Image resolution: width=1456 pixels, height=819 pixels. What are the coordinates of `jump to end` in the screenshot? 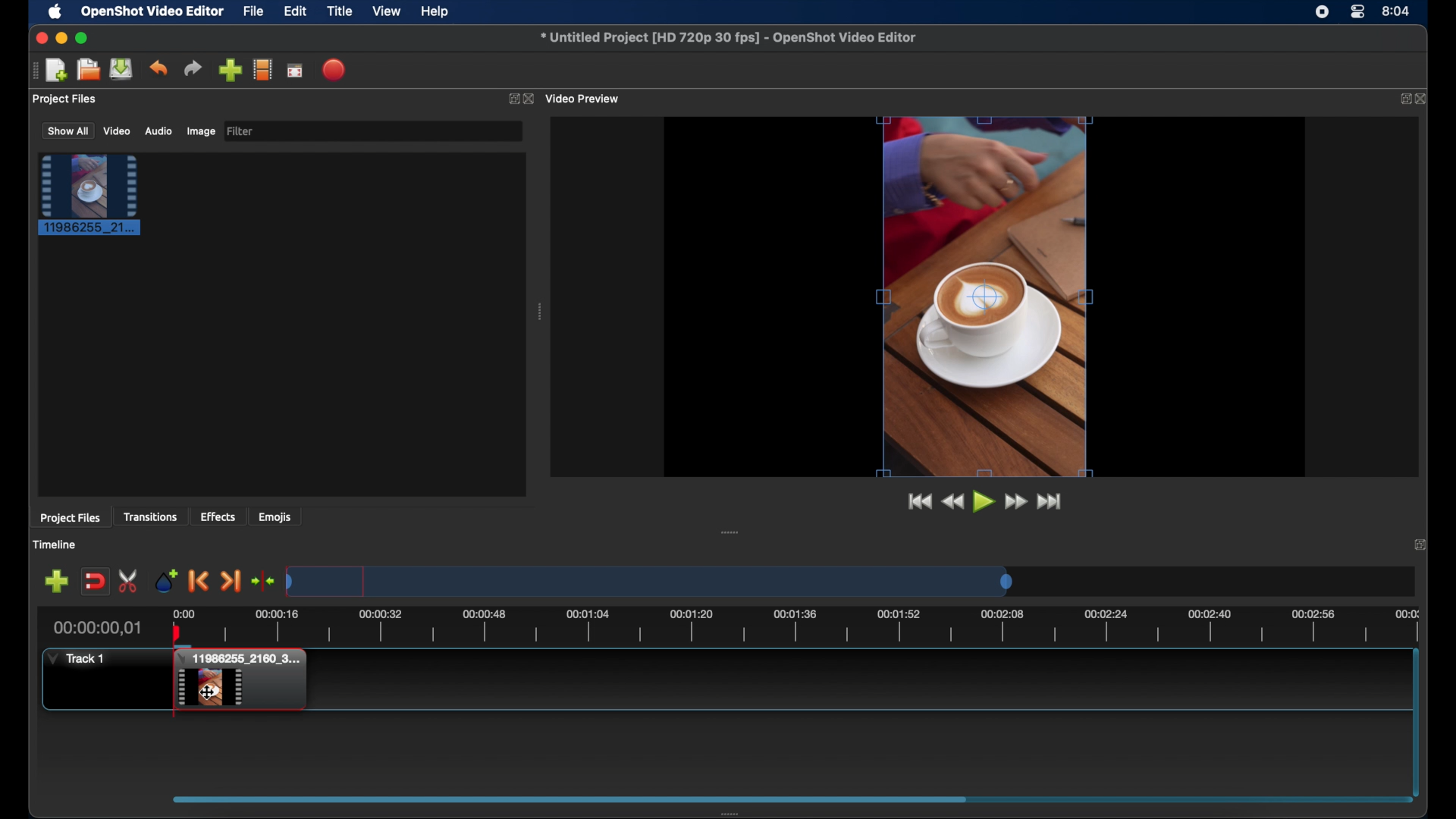 It's located at (1049, 502).